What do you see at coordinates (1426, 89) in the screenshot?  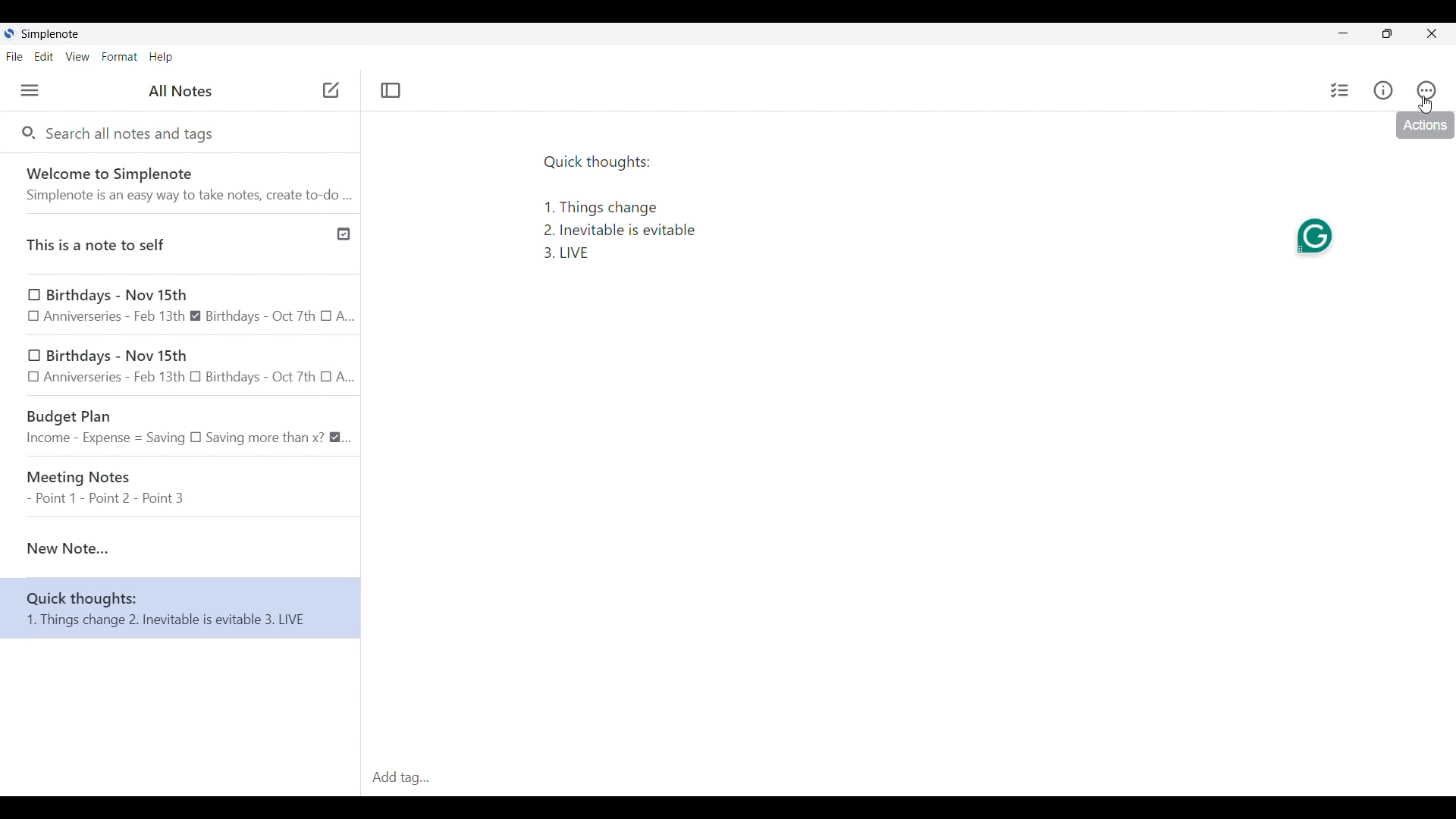 I see `Actions` at bounding box center [1426, 89].